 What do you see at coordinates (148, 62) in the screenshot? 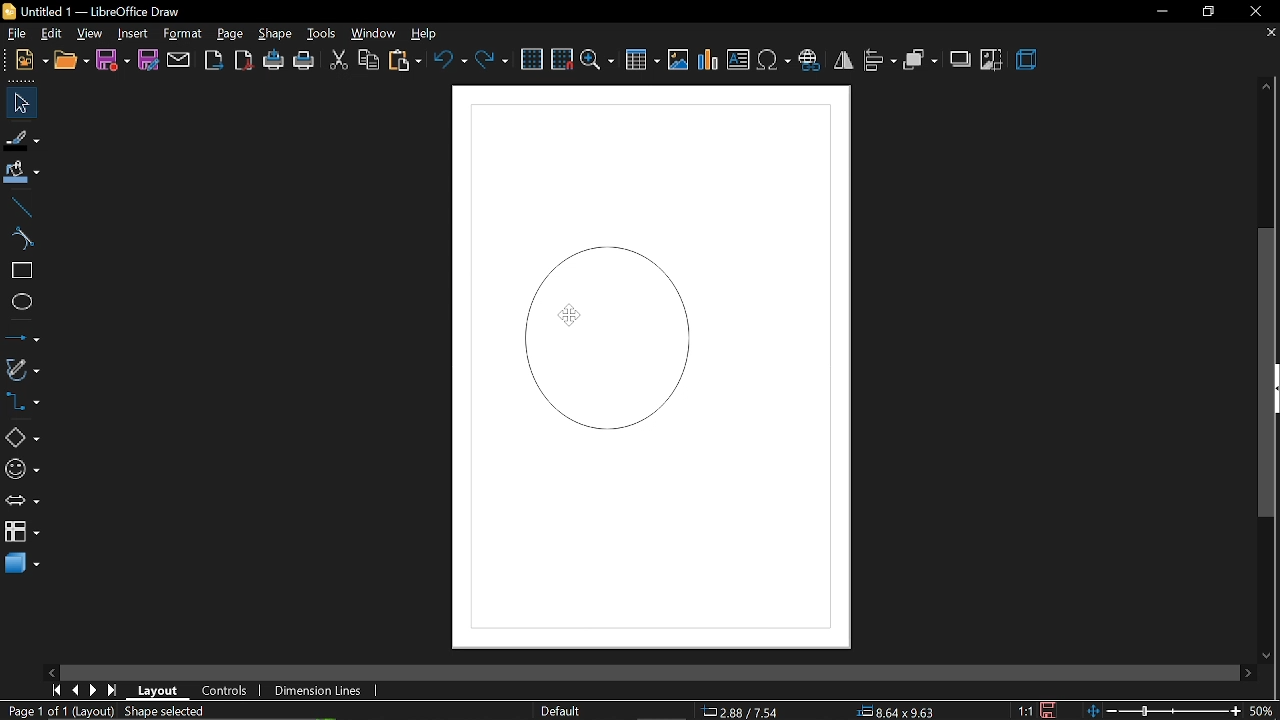
I see `save as` at bounding box center [148, 62].